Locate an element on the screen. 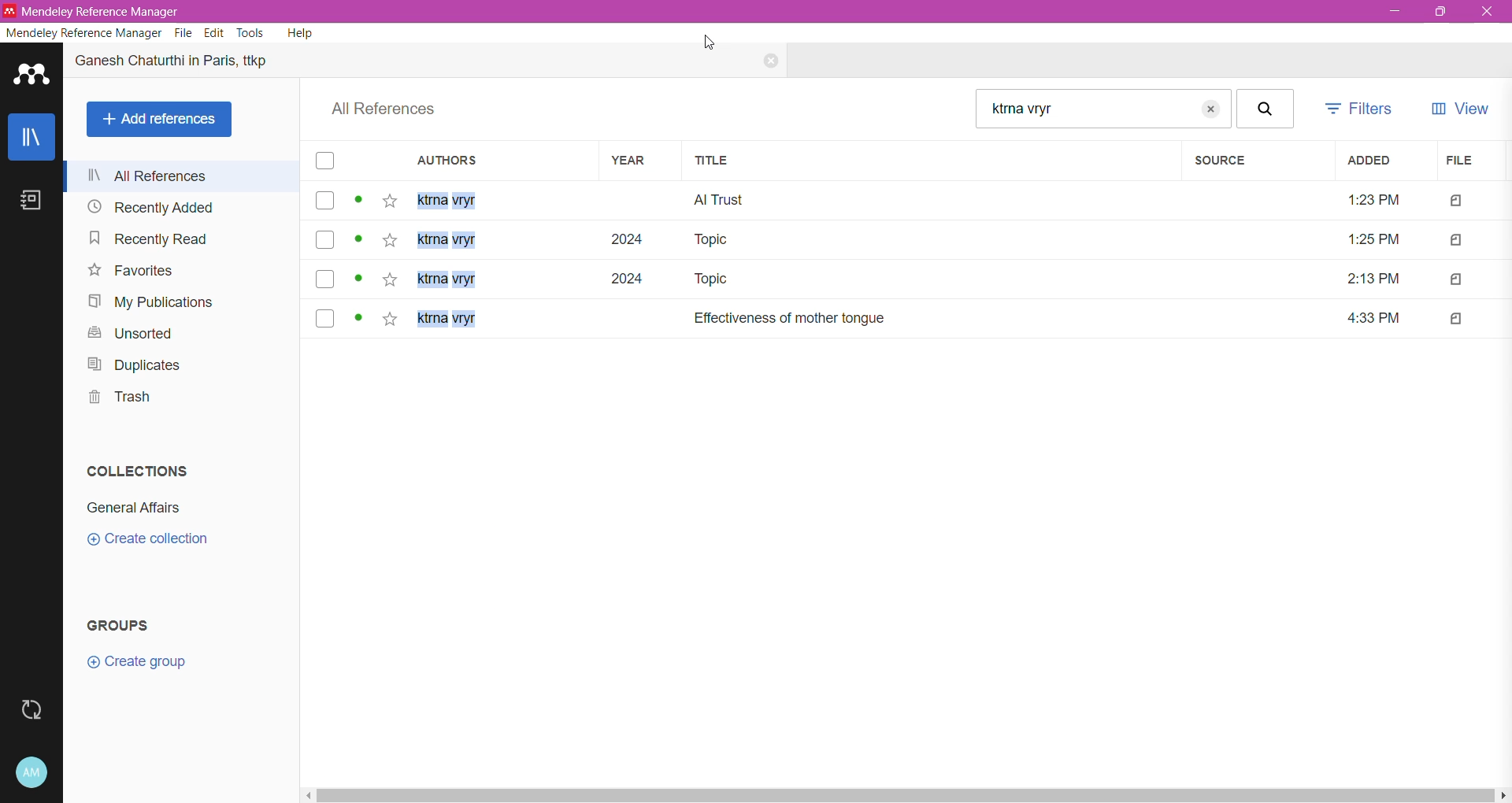 Image resolution: width=1512 pixels, height=803 pixels. add to favorites is located at coordinates (391, 280).